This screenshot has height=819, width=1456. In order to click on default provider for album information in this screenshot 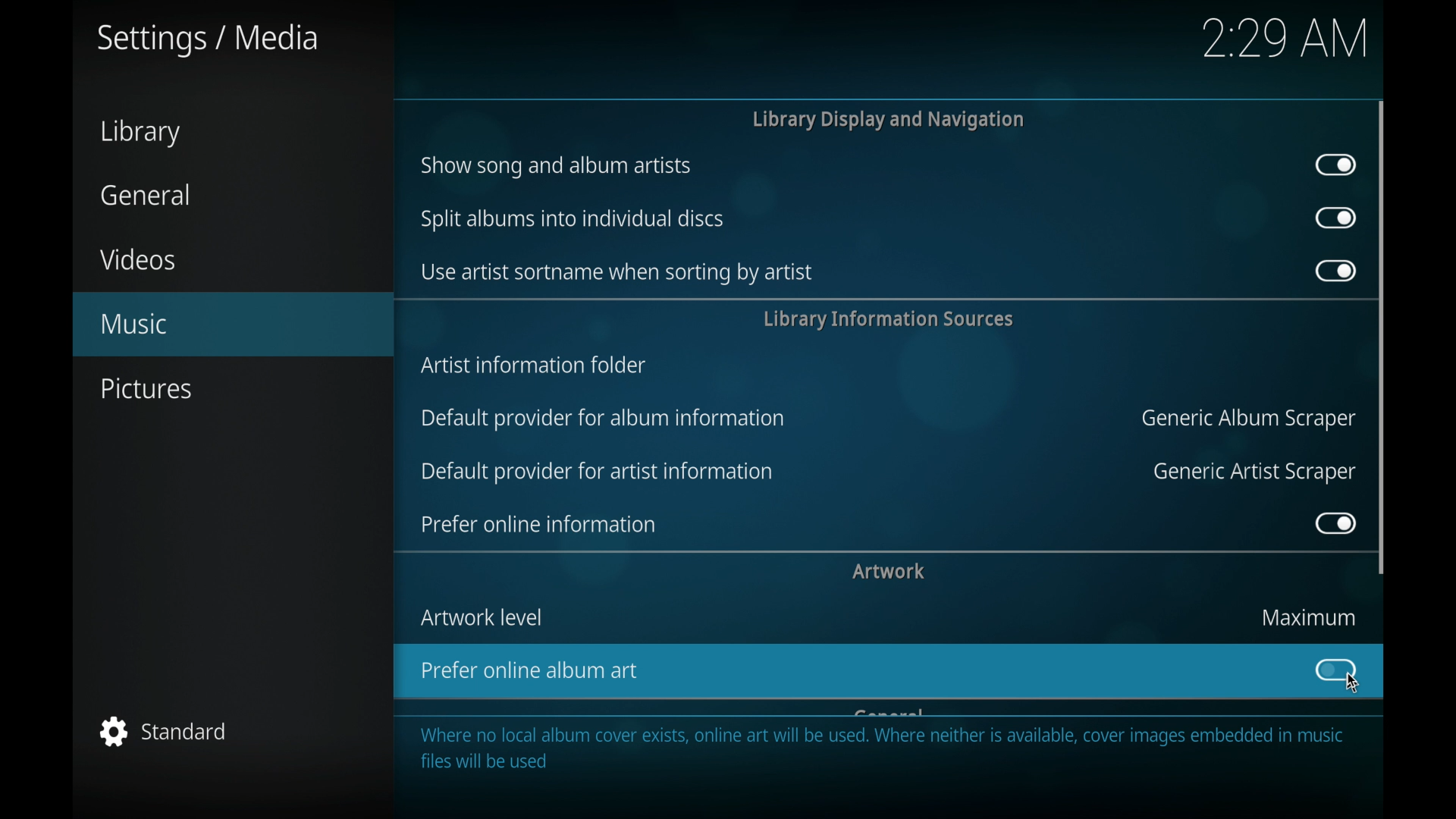, I will do `click(604, 419)`.